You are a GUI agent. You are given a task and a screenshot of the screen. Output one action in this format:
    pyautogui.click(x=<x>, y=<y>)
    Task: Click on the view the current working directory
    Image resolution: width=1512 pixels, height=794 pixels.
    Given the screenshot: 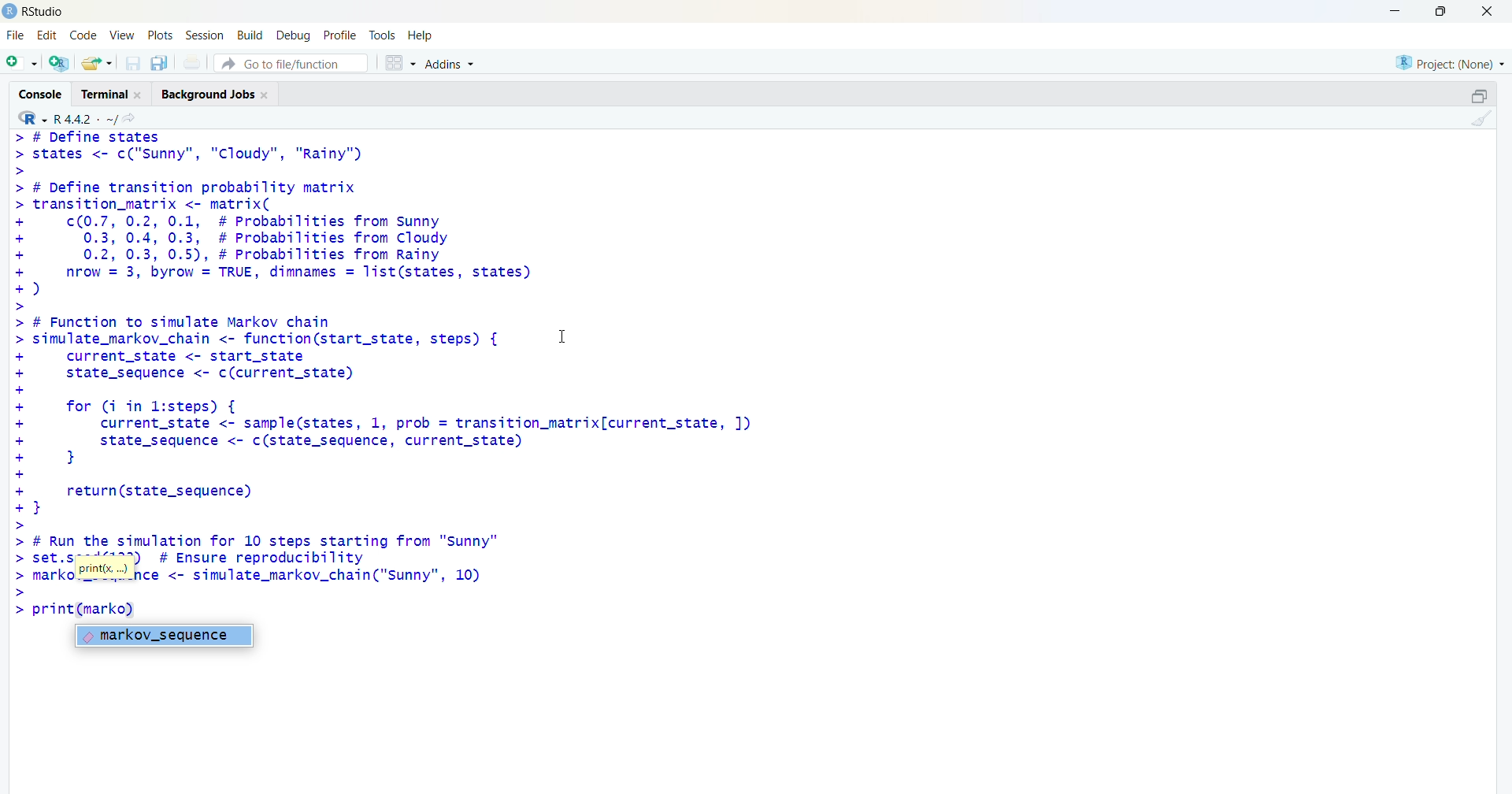 What is the action you would take?
    pyautogui.click(x=134, y=118)
    